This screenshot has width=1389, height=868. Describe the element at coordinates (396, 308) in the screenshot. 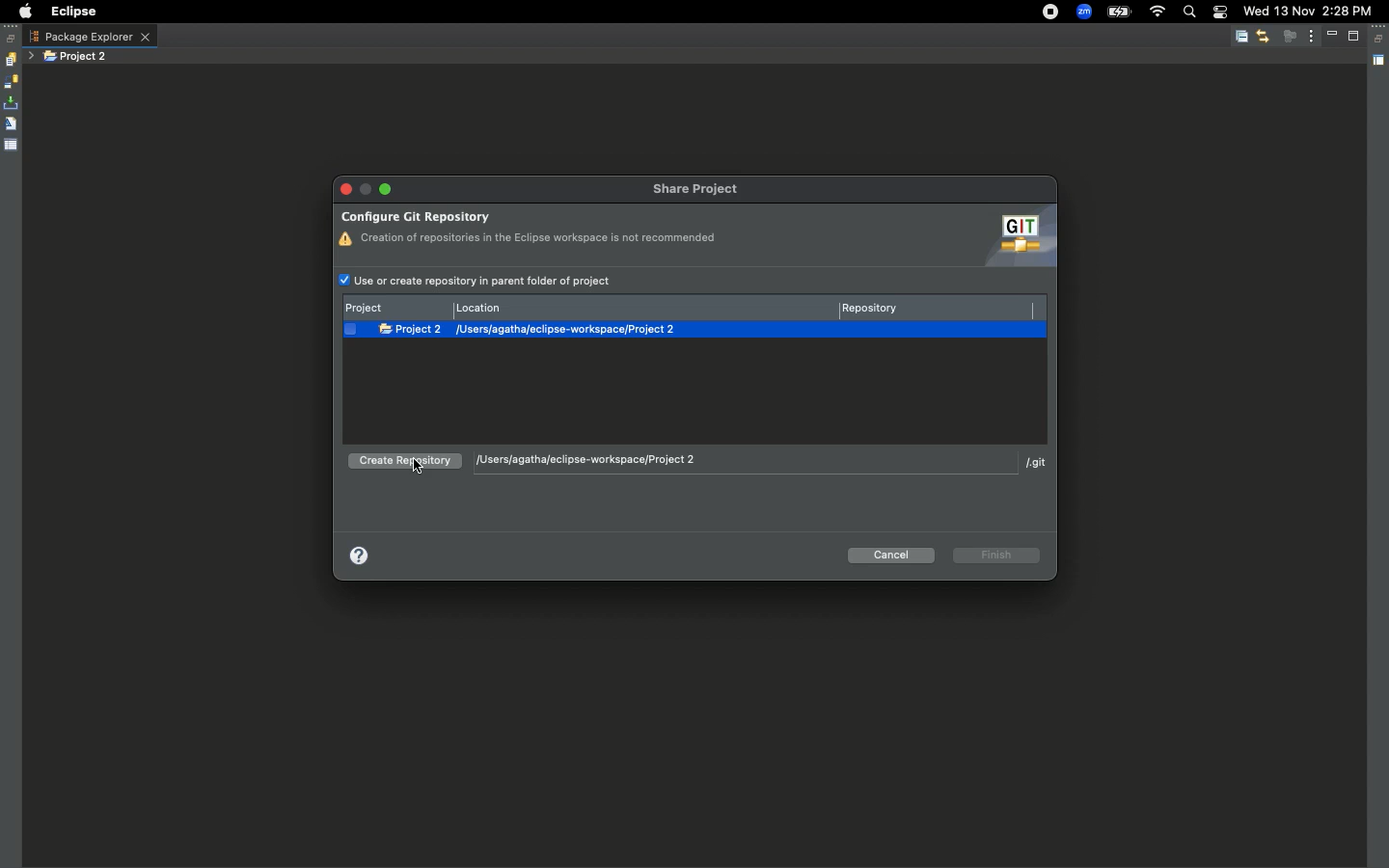

I see `Project Name` at that location.